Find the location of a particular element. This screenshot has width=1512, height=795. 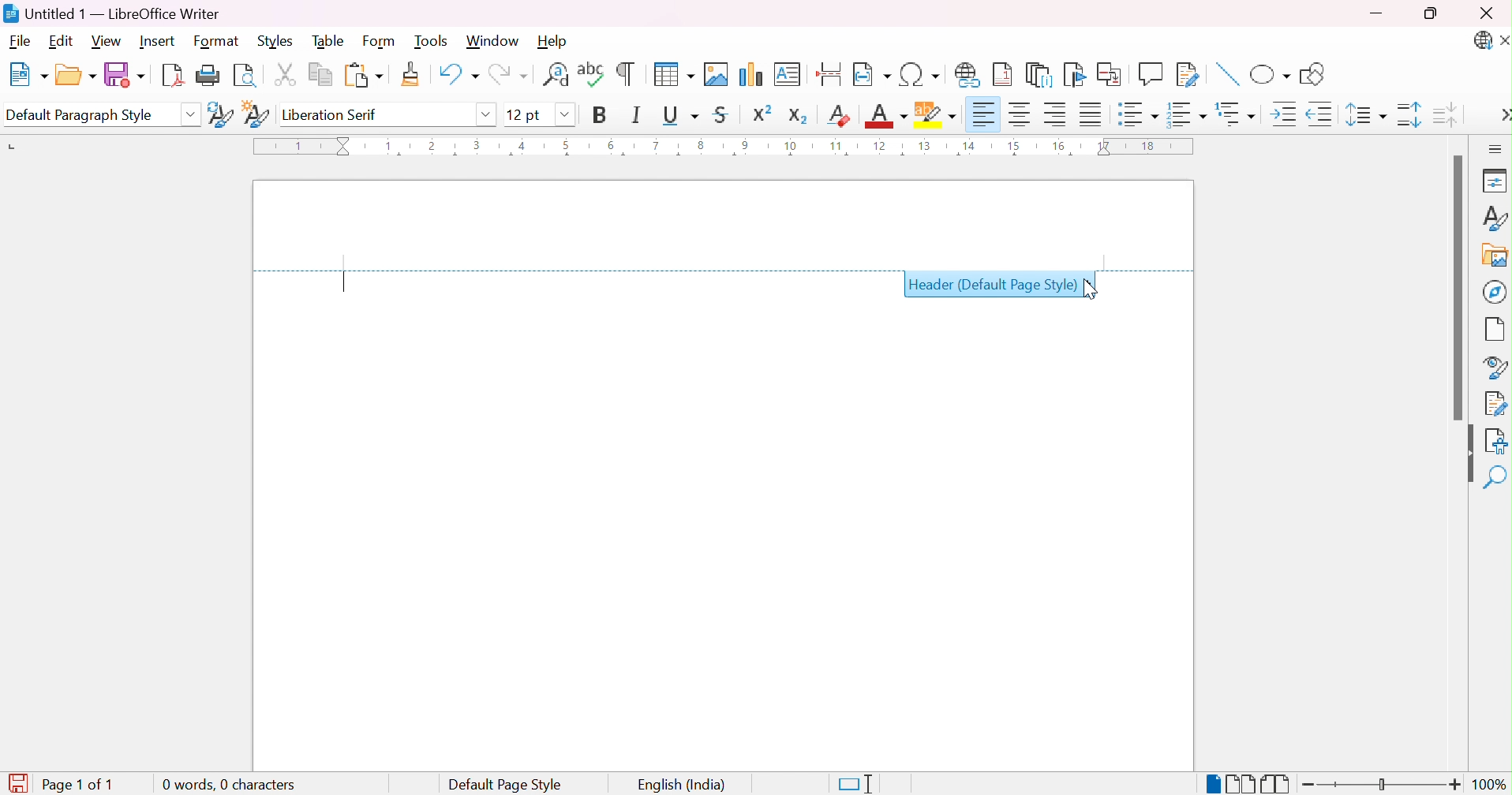

12 pt is located at coordinates (522, 114).